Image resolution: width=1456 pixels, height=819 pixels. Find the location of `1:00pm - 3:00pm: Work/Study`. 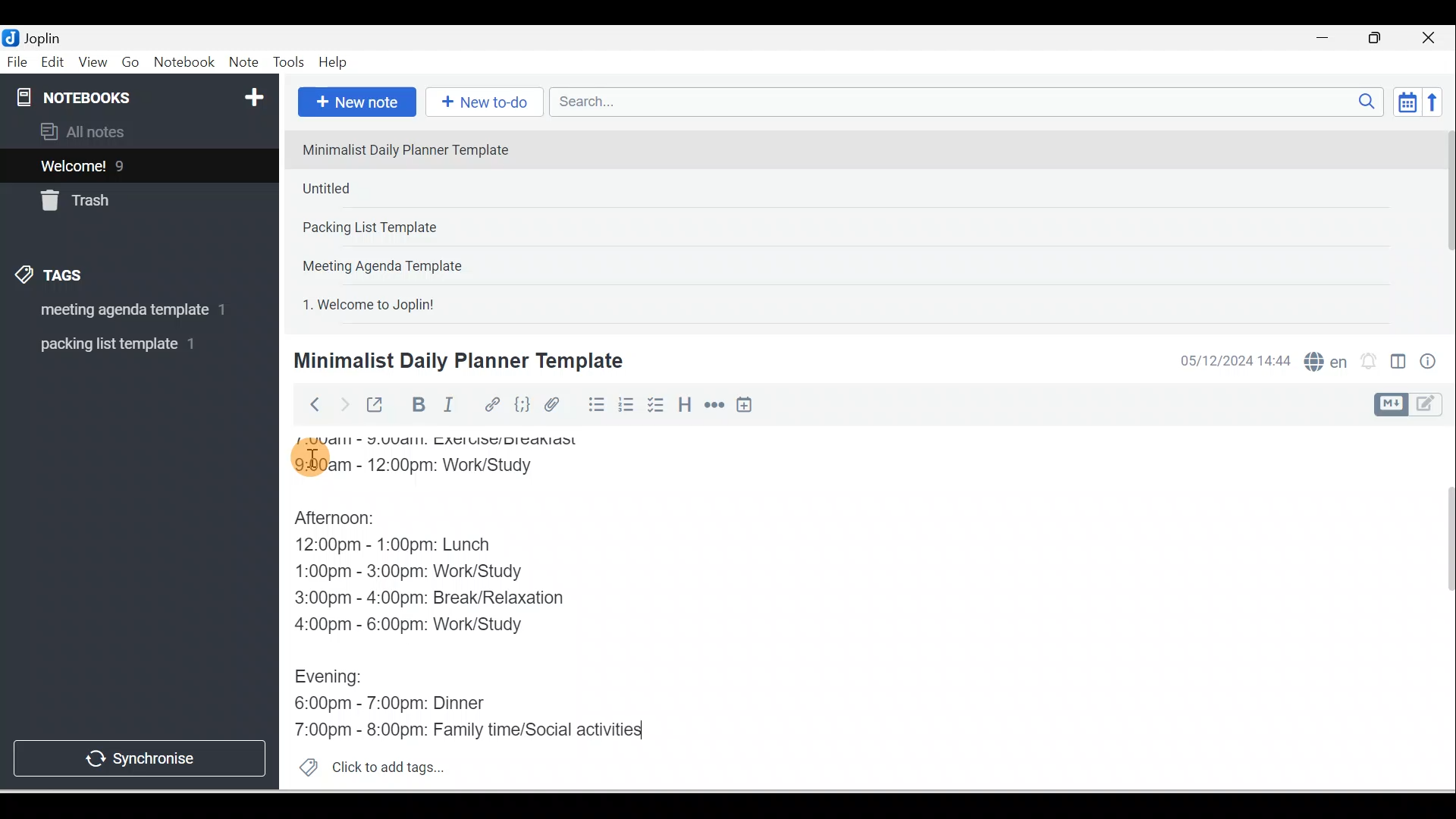

1:00pm - 3:00pm: Work/Study is located at coordinates (411, 573).